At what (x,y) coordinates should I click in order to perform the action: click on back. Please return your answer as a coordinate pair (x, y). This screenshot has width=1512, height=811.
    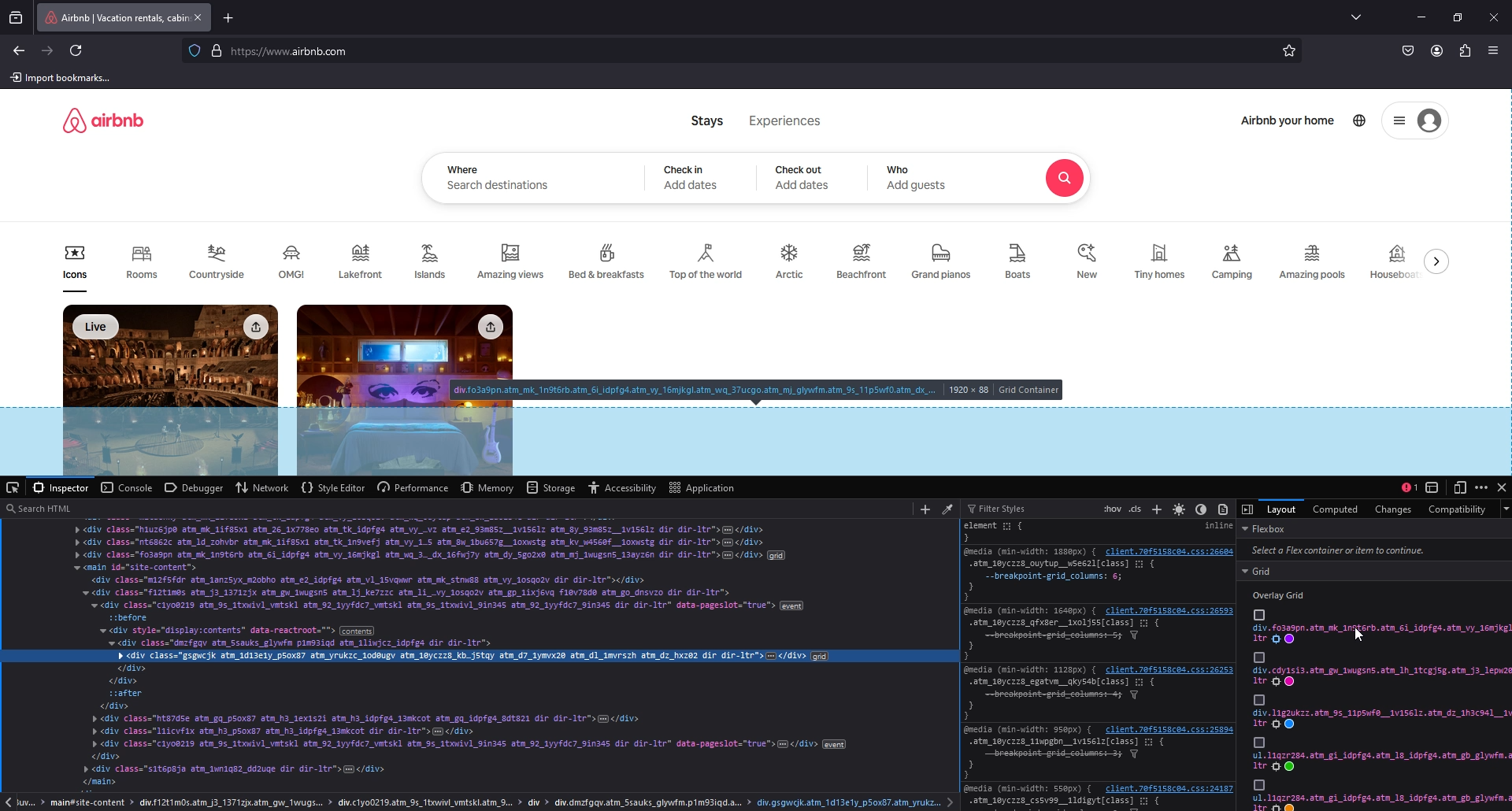
    Looking at the image, I should click on (20, 51).